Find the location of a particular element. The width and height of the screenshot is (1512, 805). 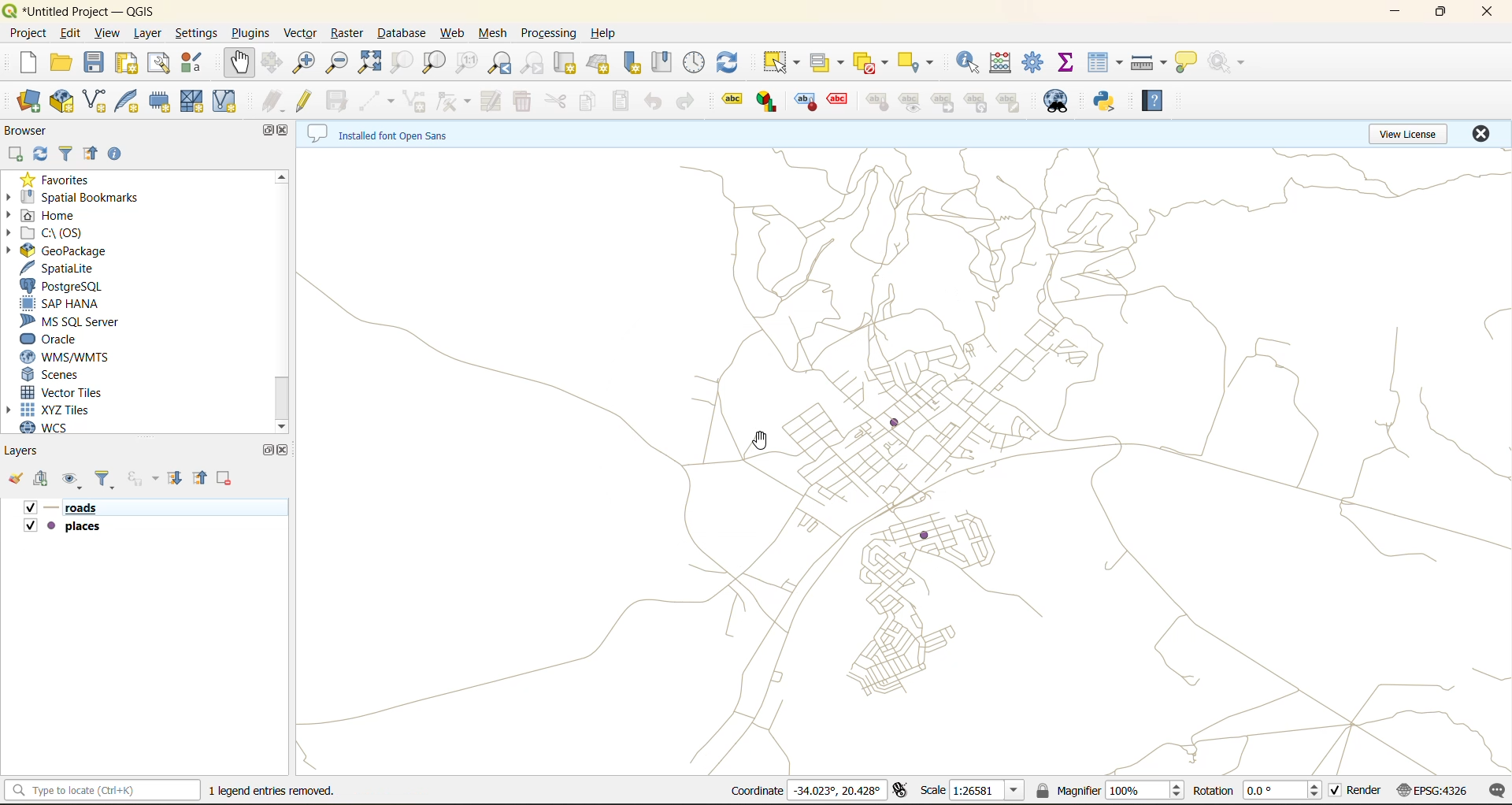

measure line is located at coordinates (1151, 61).